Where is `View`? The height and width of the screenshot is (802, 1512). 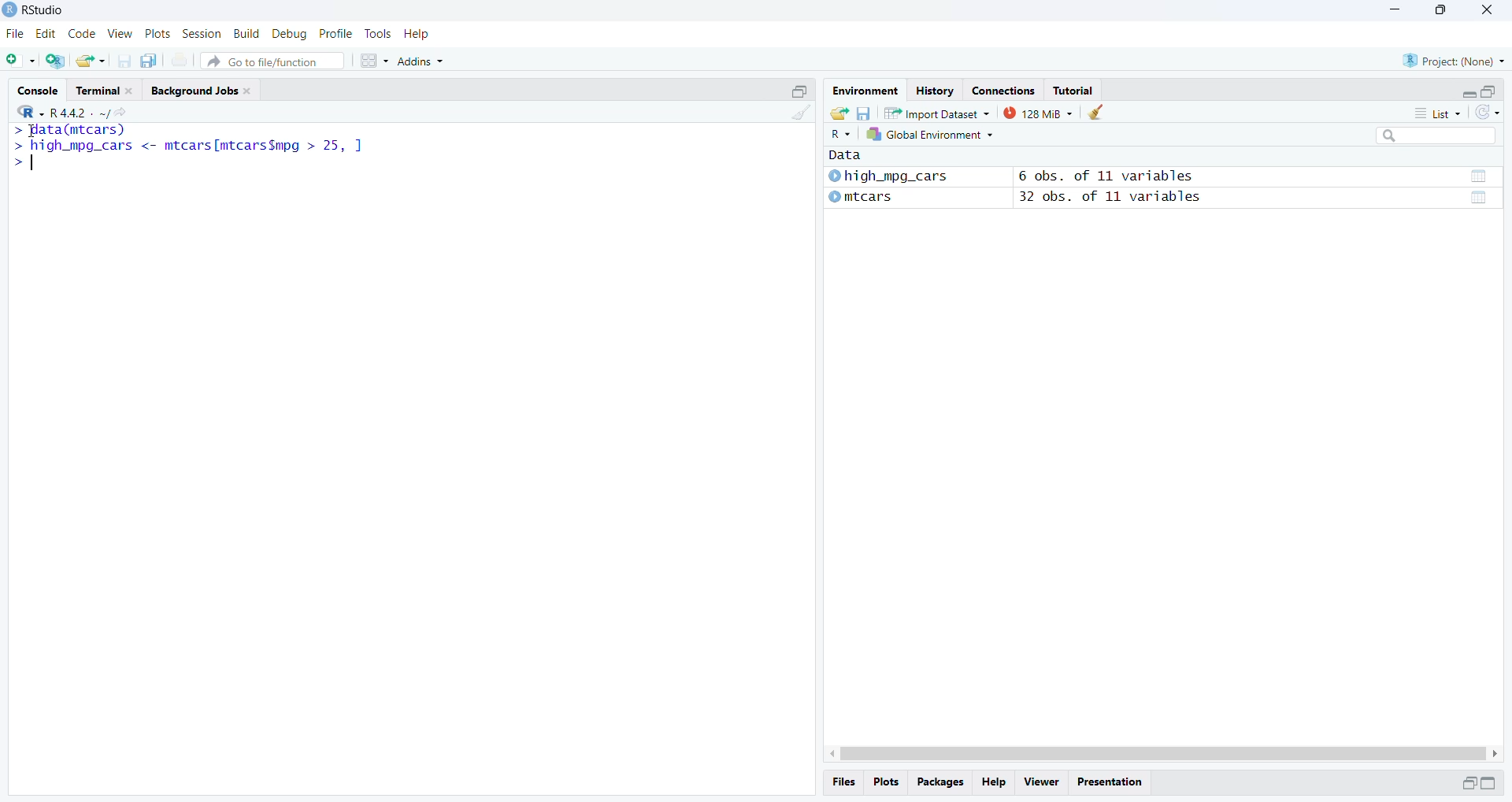 View is located at coordinates (120, 33).